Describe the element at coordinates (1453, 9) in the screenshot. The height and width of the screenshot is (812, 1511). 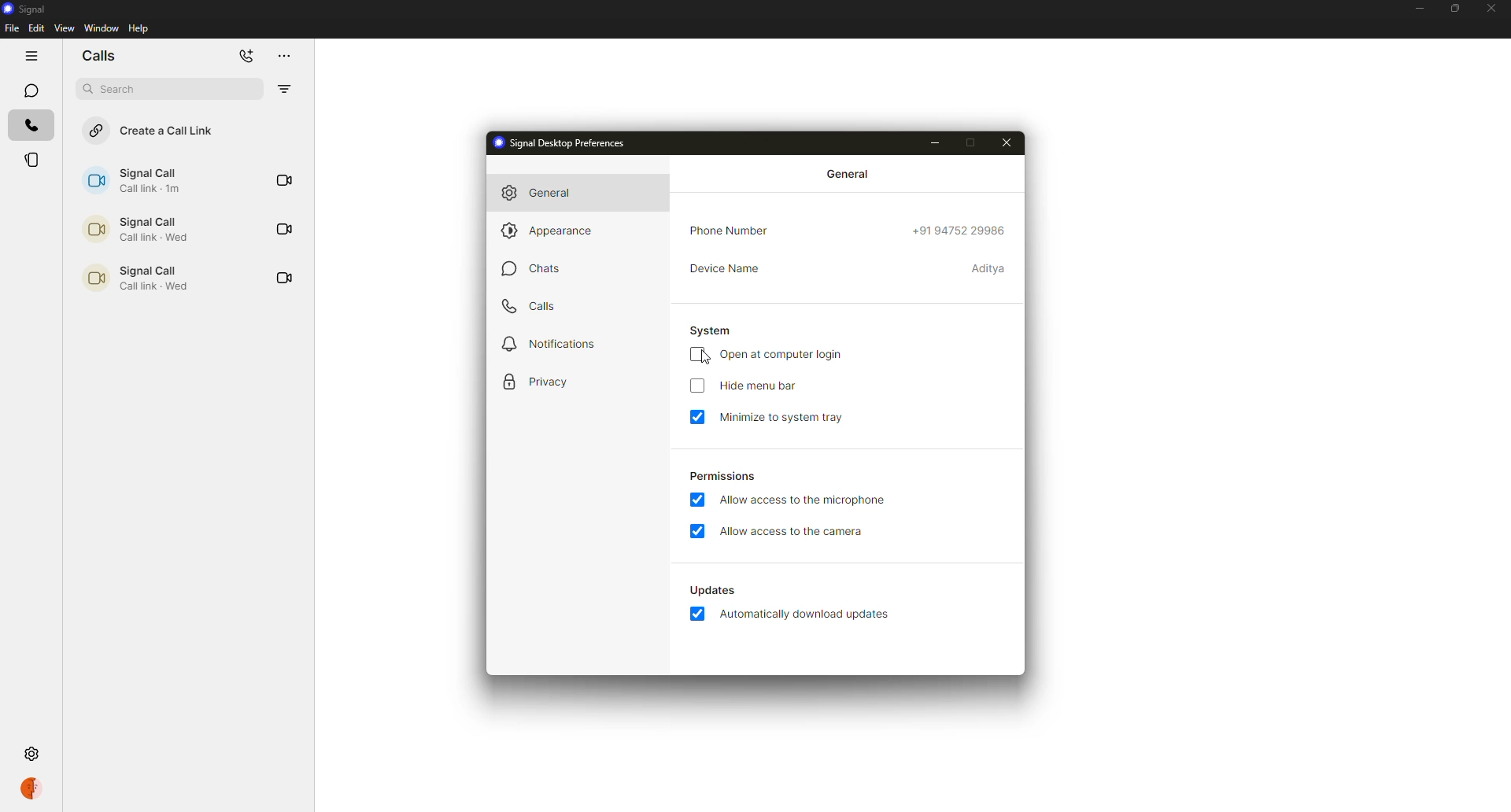
I see `maximize` at that location.